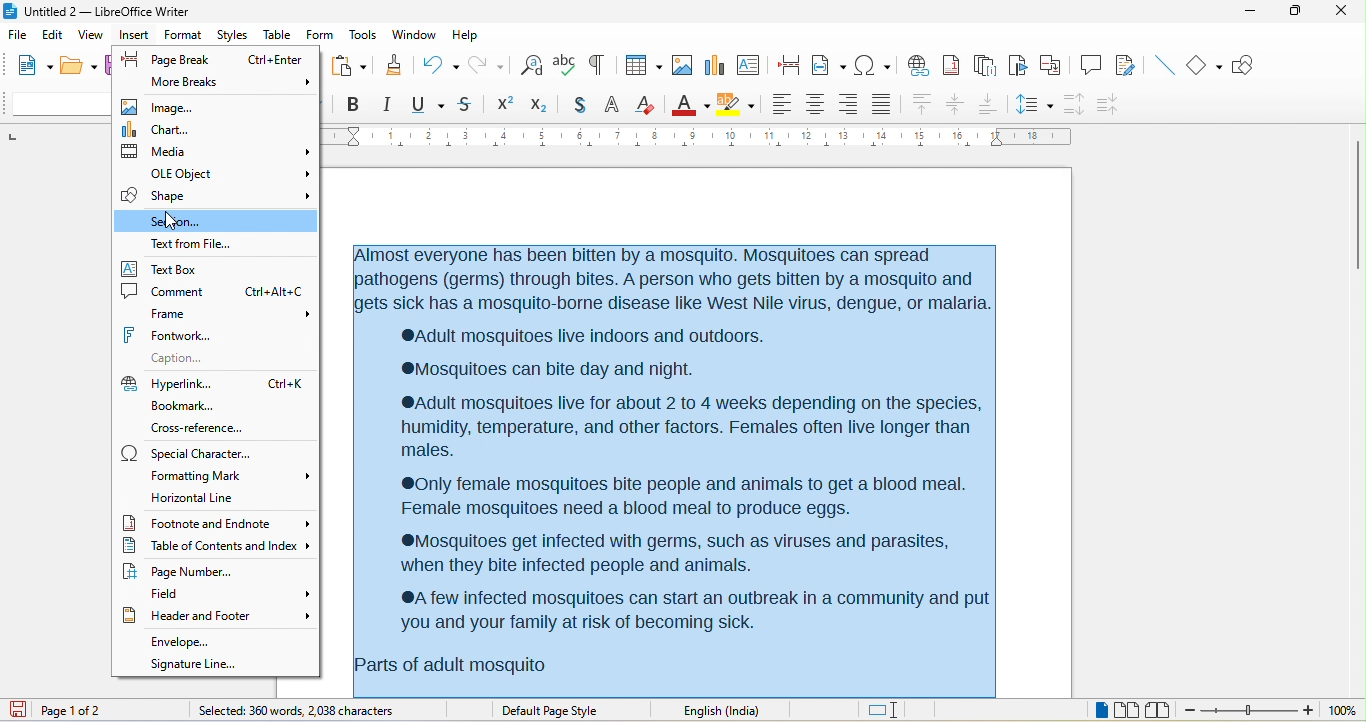 The height and width of the screenshot is (722, 1366). What do you see at coordinates (1075, 105) in the screenshot?
I see `increase paragraph spacing` at bounding box center [1075, 105].